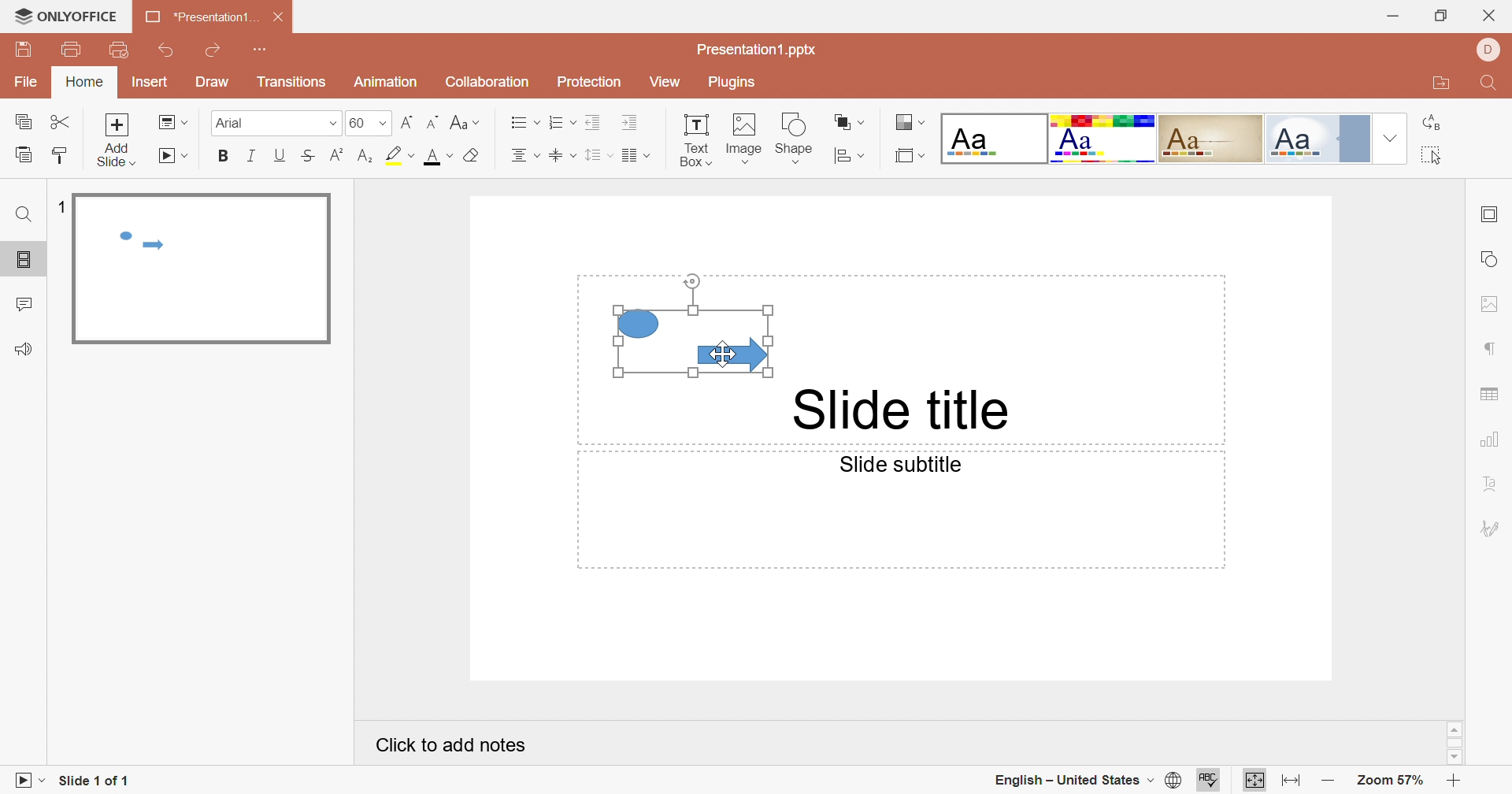  What do you see at coordinates (1487, 84) in the screenshot?
I see `Find` at bounding box center [1487, 84].